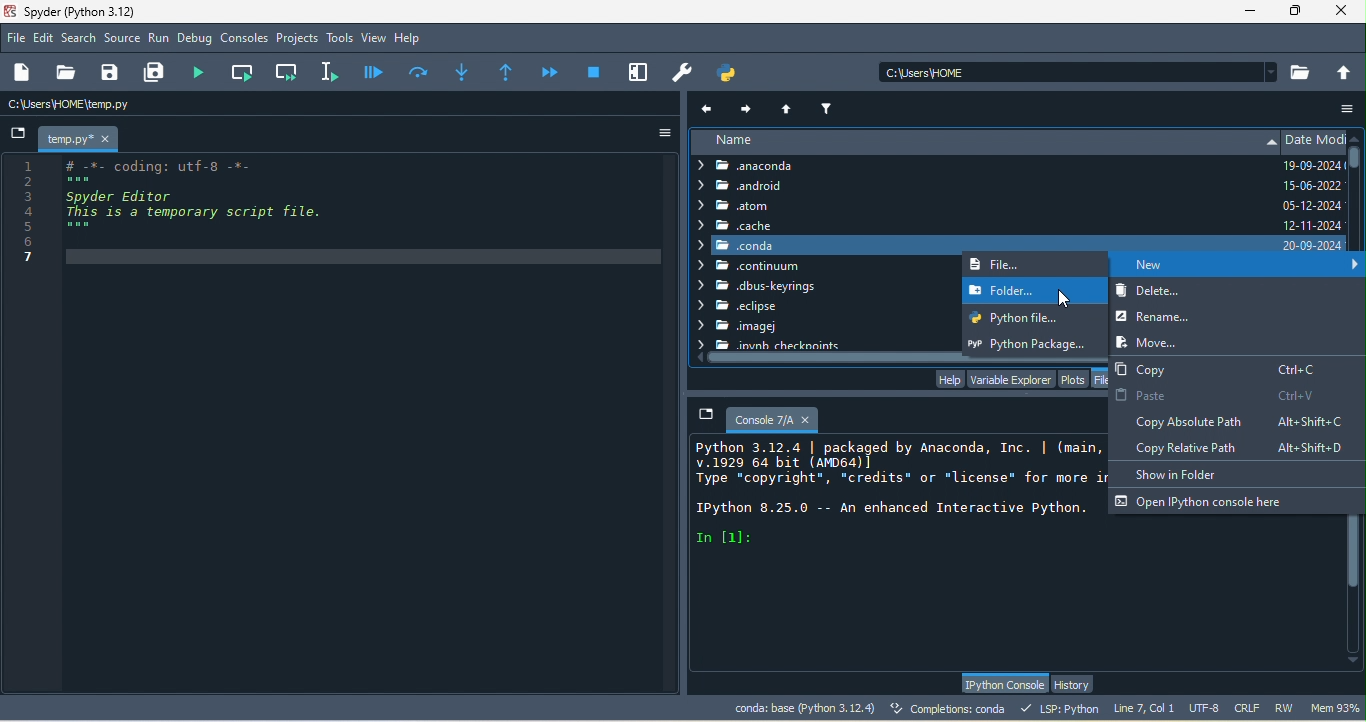 The image size is (1366, 722). I want to click on imagej, so click(753, 328).